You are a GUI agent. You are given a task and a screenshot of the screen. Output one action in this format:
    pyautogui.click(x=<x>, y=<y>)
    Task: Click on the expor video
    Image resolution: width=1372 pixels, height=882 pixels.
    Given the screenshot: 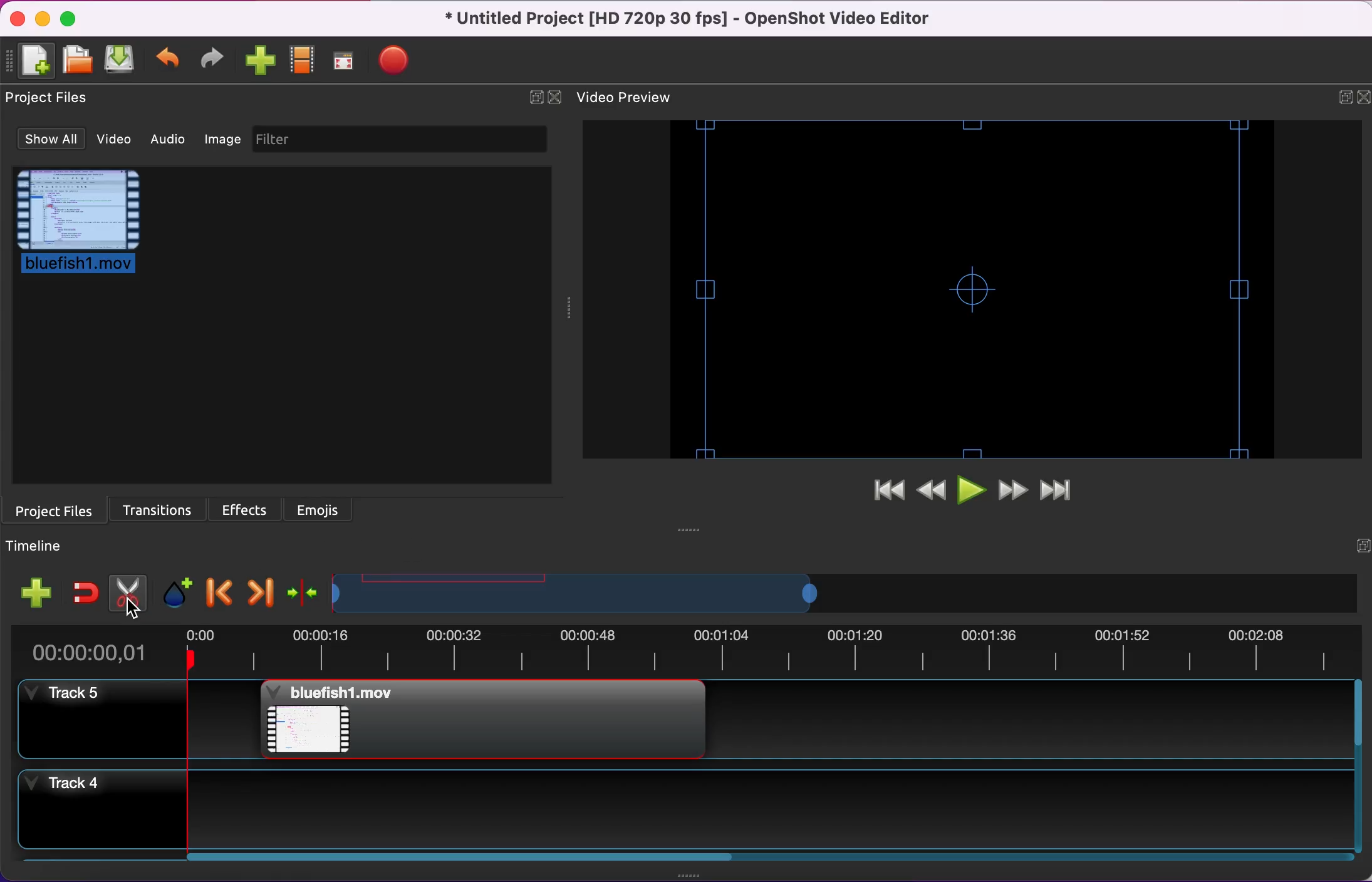 What is the action you would take?
    pyautogui.click(x=396, y=58)
    